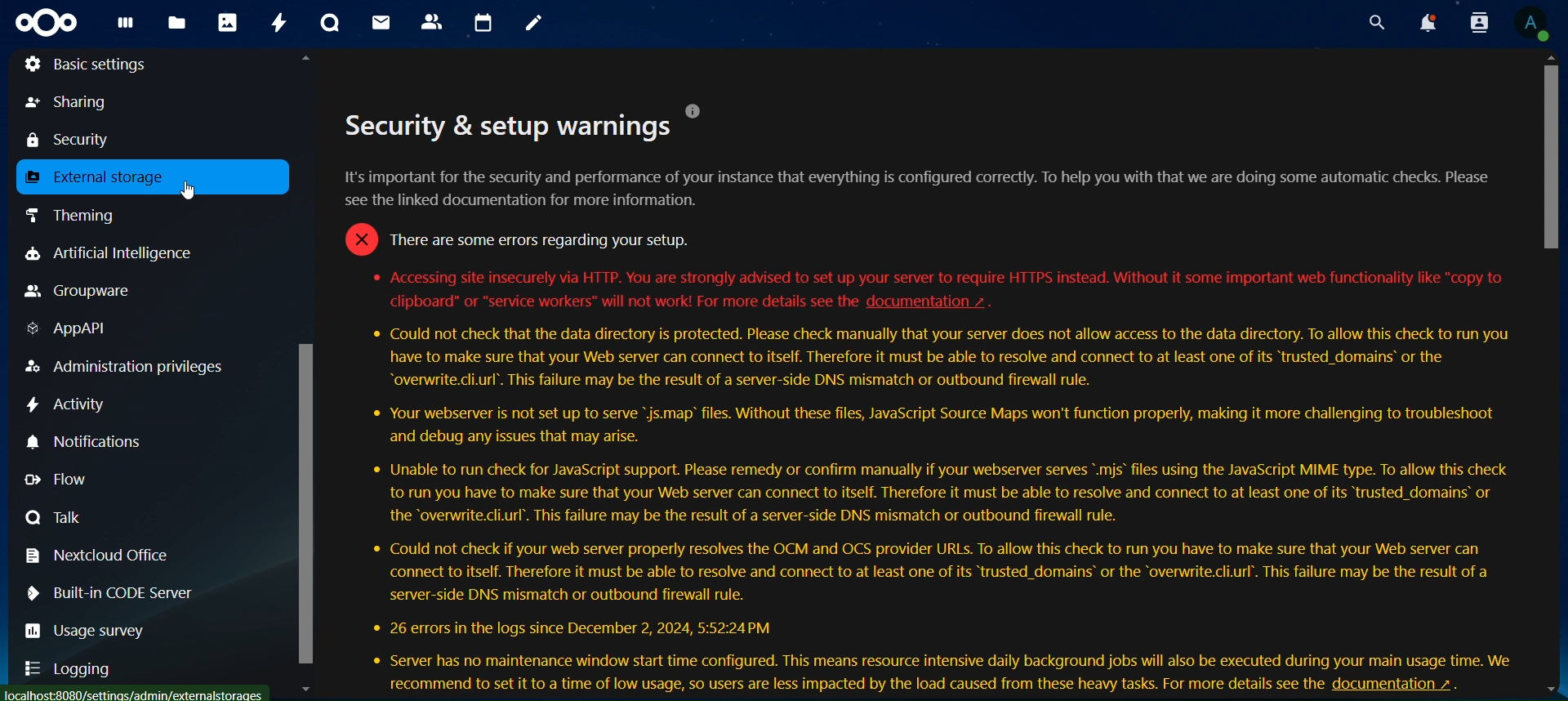  Describe the element at coordinates (229, 23) in the screenshot. I see `photos` at that location.